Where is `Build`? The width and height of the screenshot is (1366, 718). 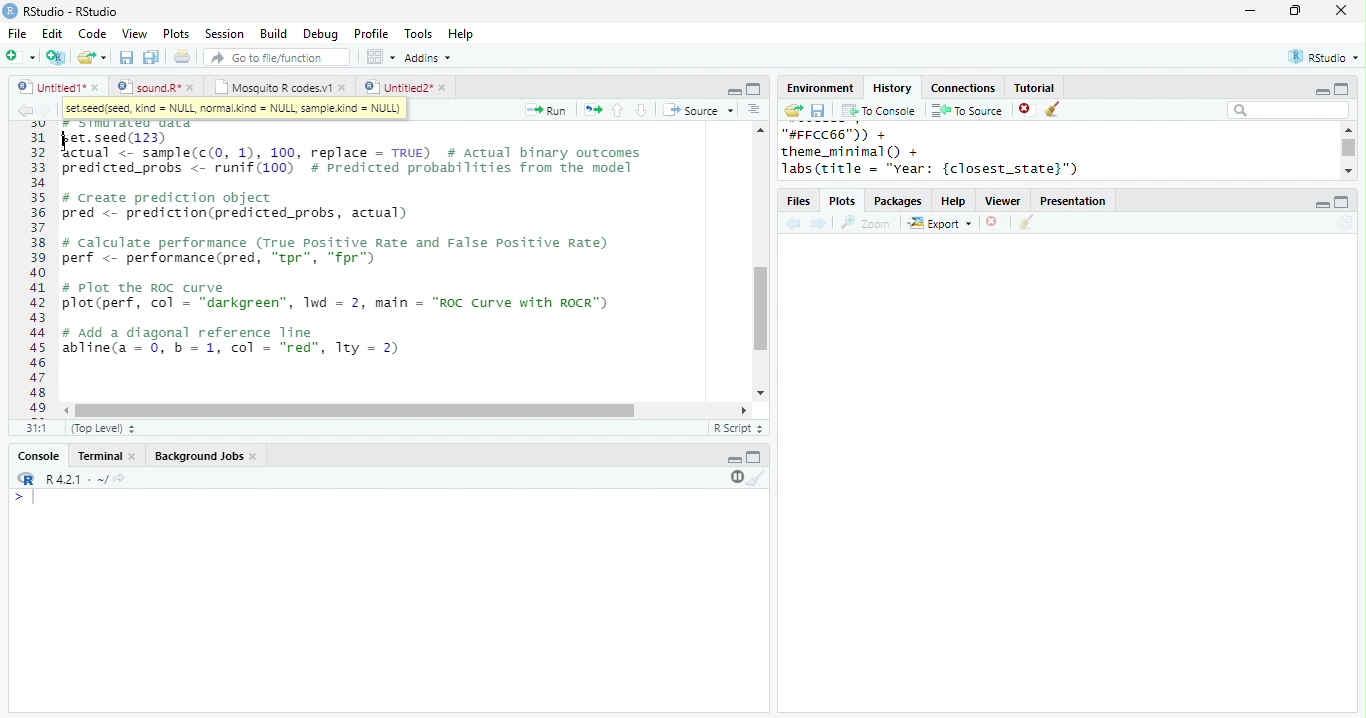 Build is located at coordinates (273, 34).